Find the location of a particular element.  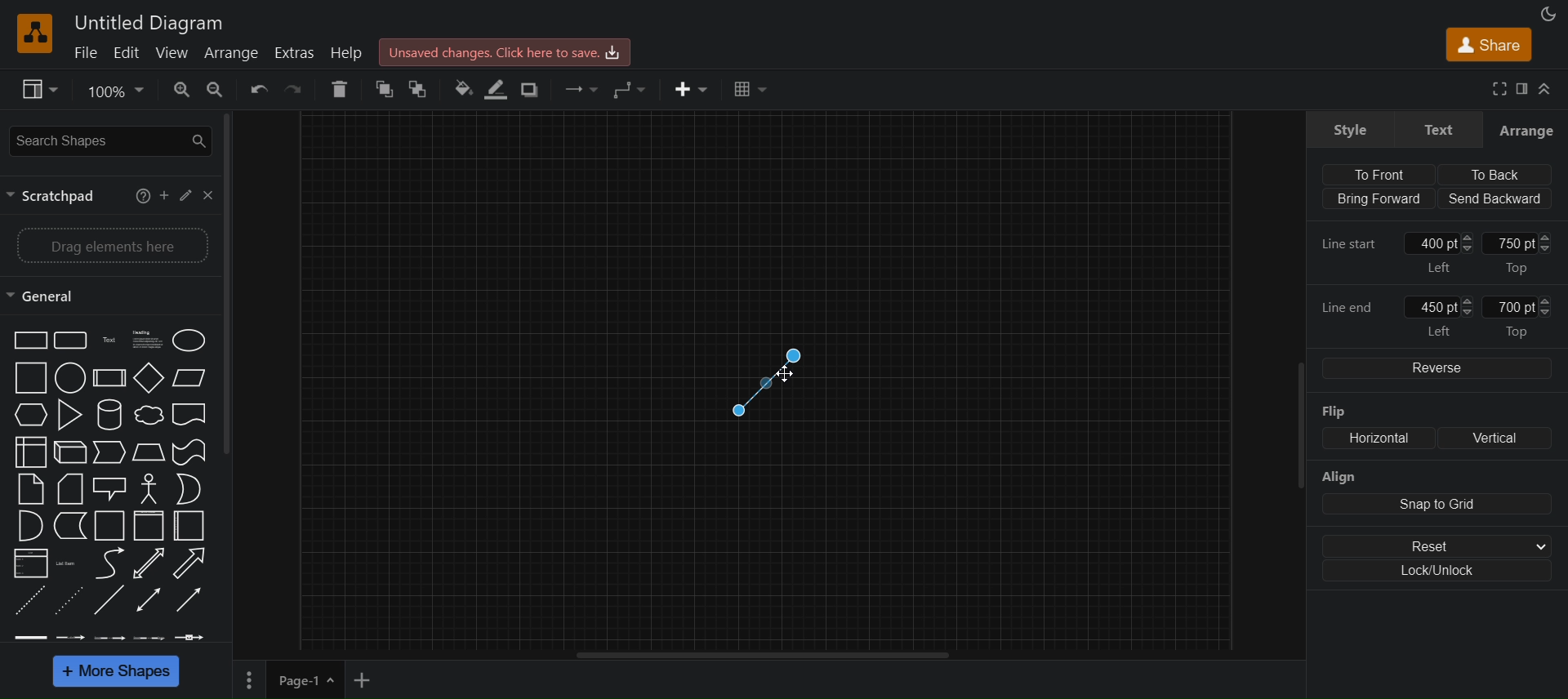

more shapes is located at coordinates (120, 672).